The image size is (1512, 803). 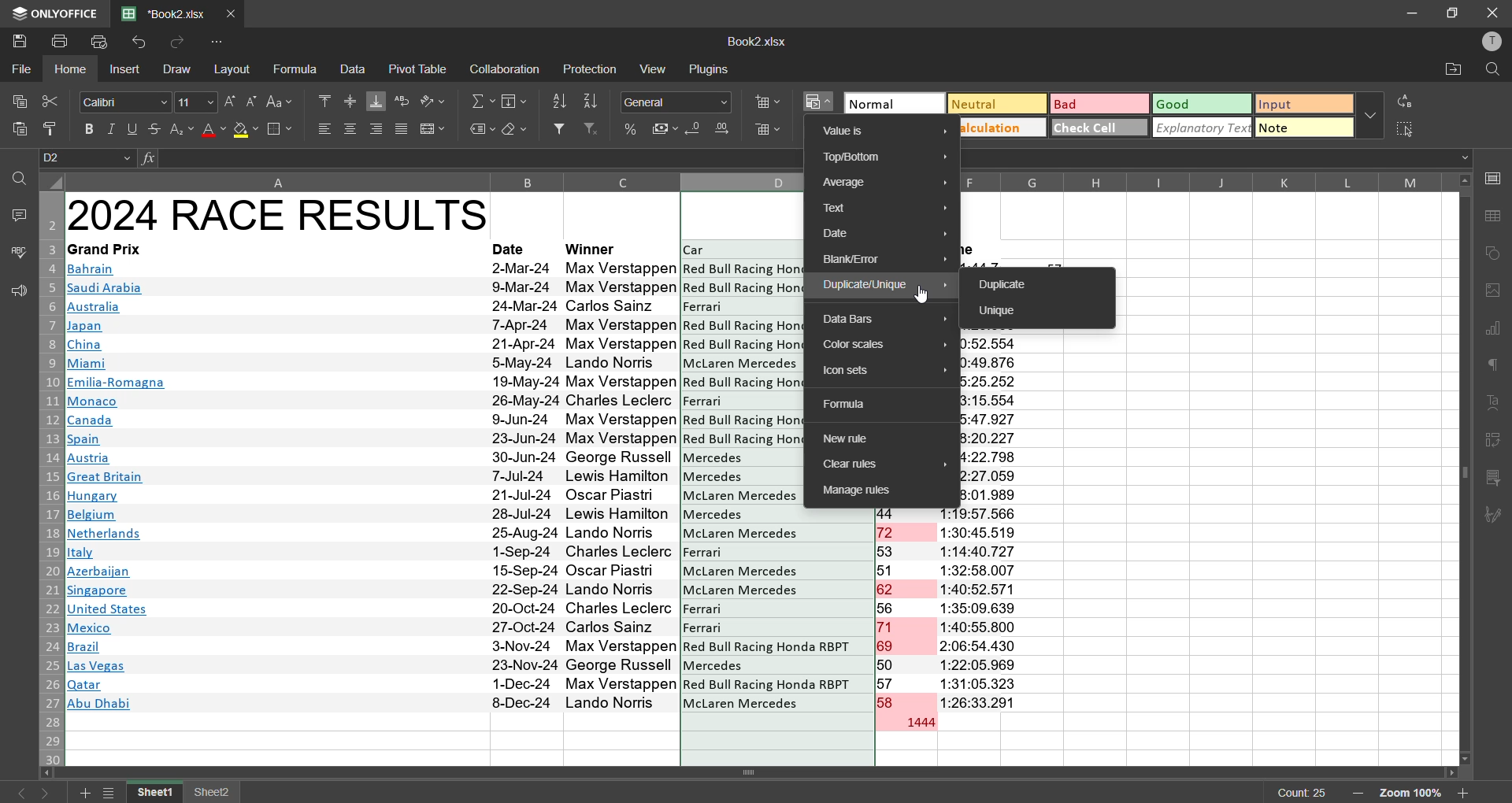 I want to click on print, so click(x=62, y=40).